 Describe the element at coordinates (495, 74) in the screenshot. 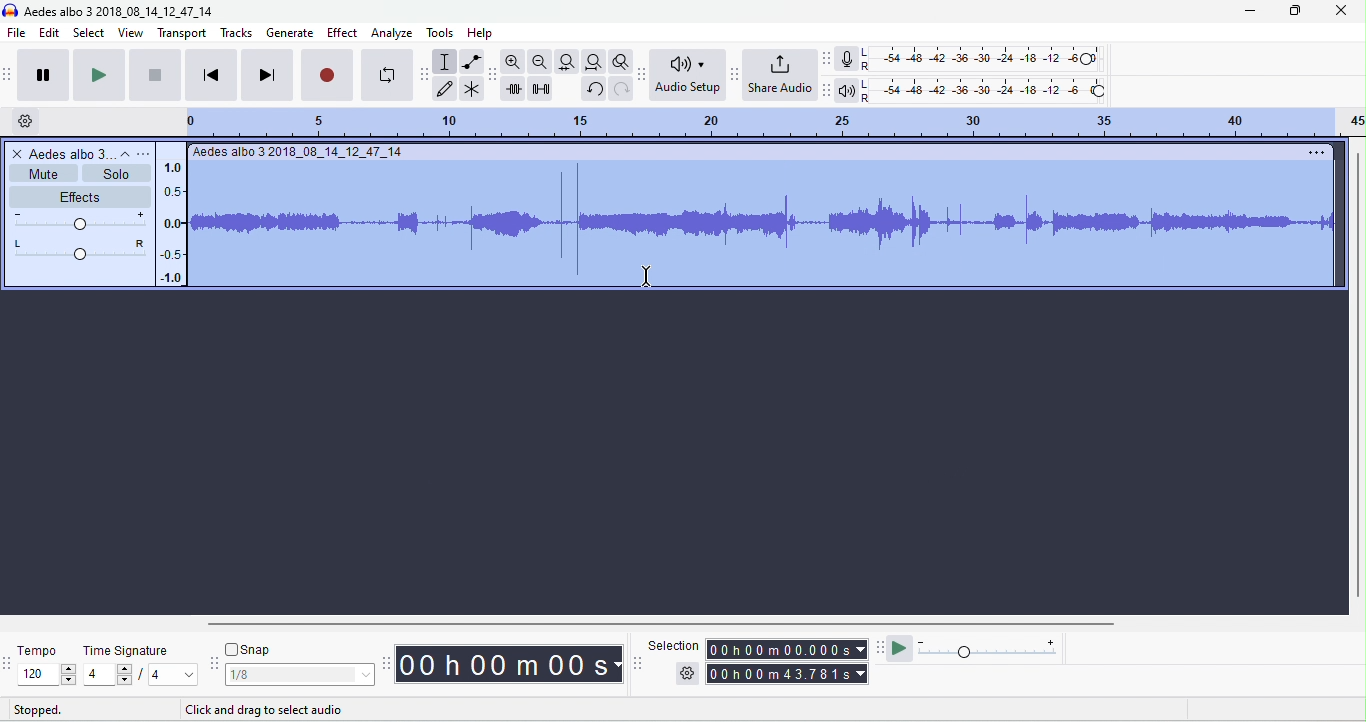

I see `audacity edit toolbar` at that location.